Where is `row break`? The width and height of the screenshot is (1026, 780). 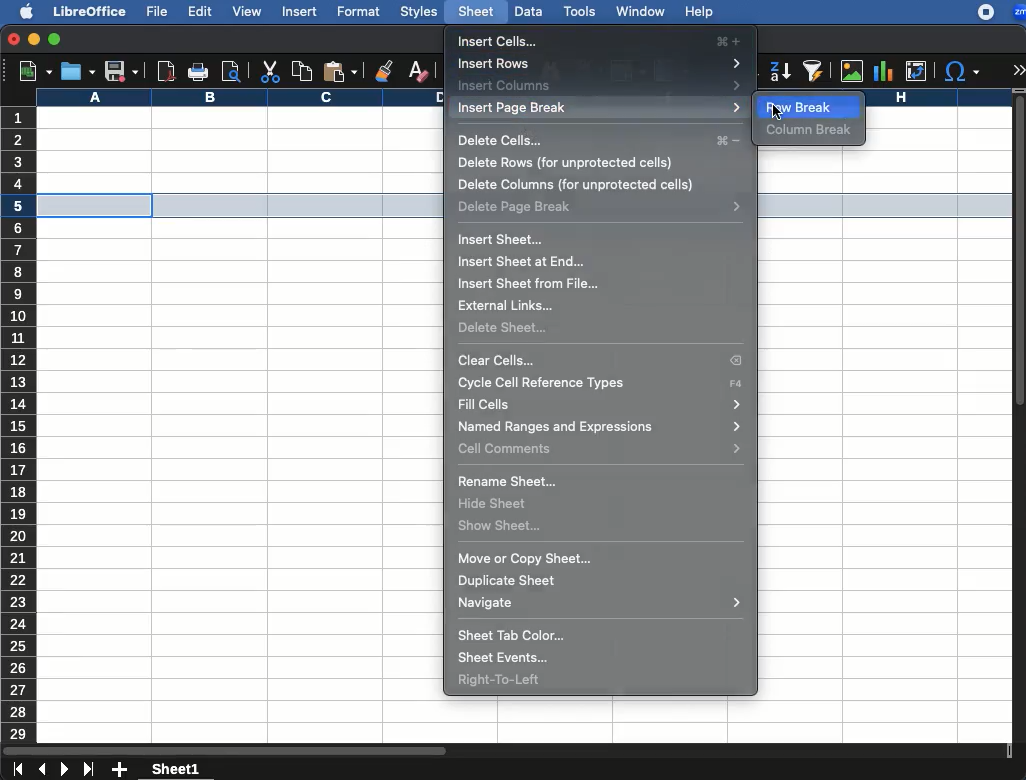
row break is located at coordinates (805, 108).